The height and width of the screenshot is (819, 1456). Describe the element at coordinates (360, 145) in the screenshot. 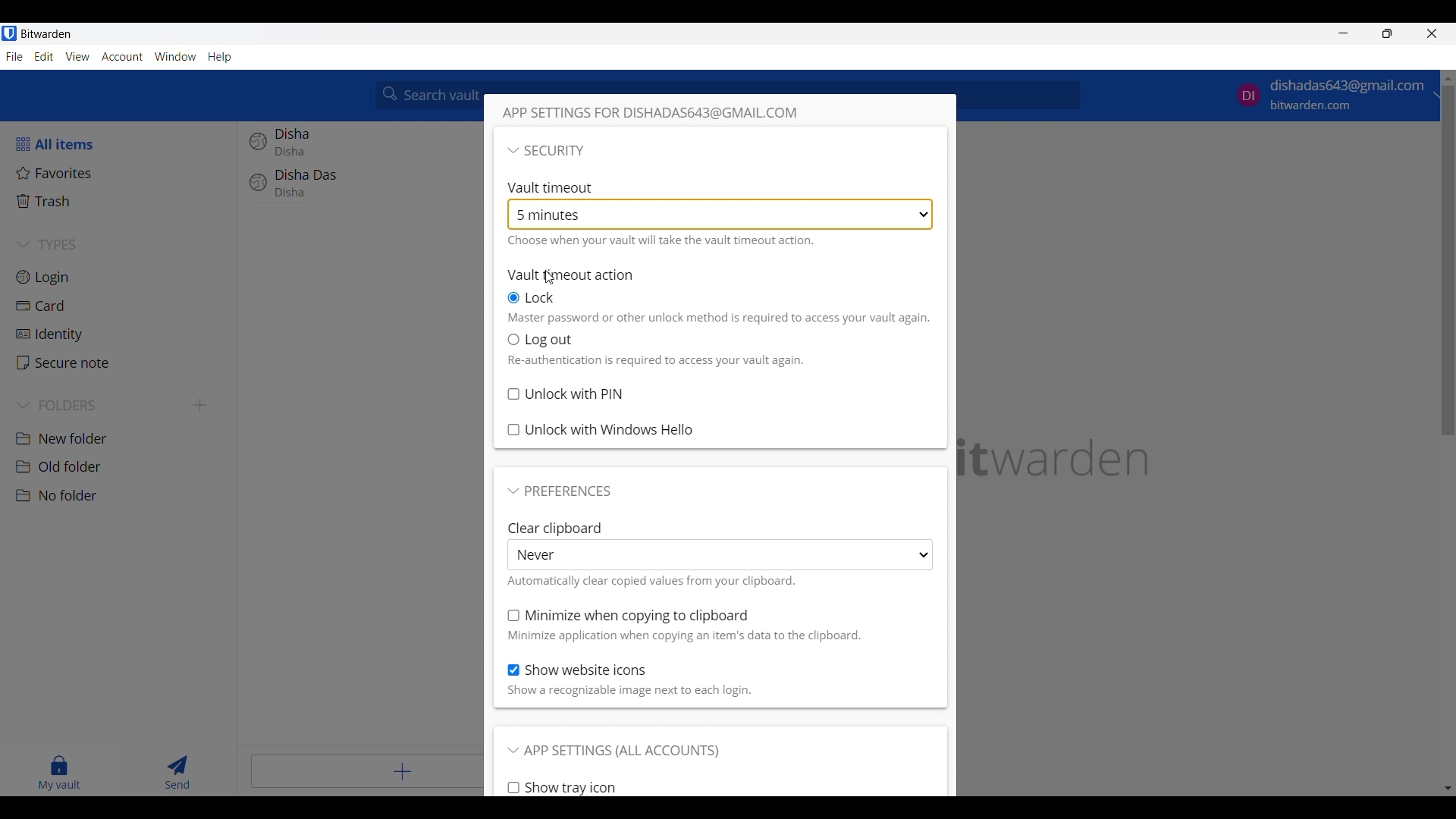

I see `Disha login entry` at that location.